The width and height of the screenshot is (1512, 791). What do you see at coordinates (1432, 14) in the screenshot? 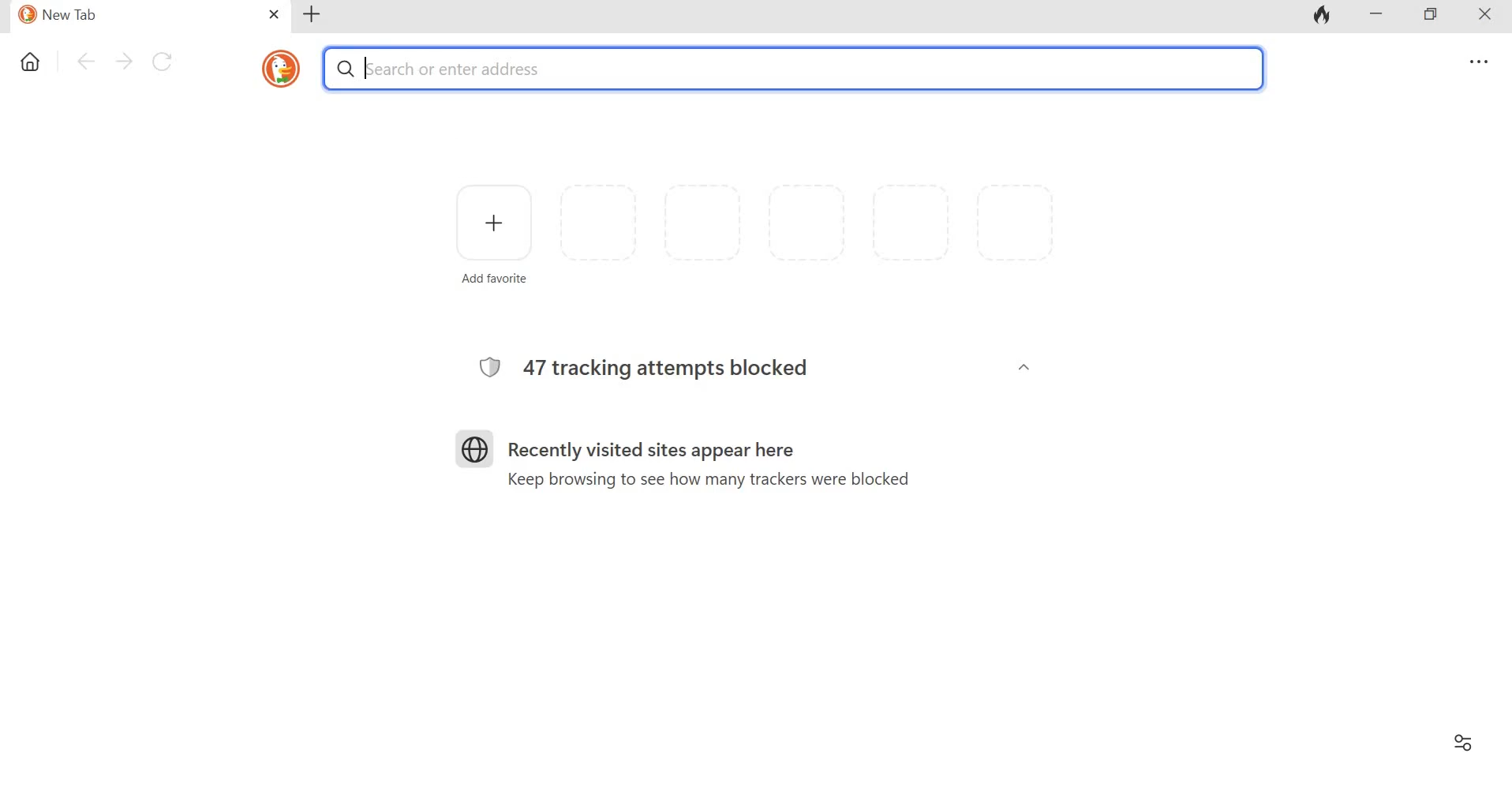
I see `Maximize` at bounding box center [1432, 14].